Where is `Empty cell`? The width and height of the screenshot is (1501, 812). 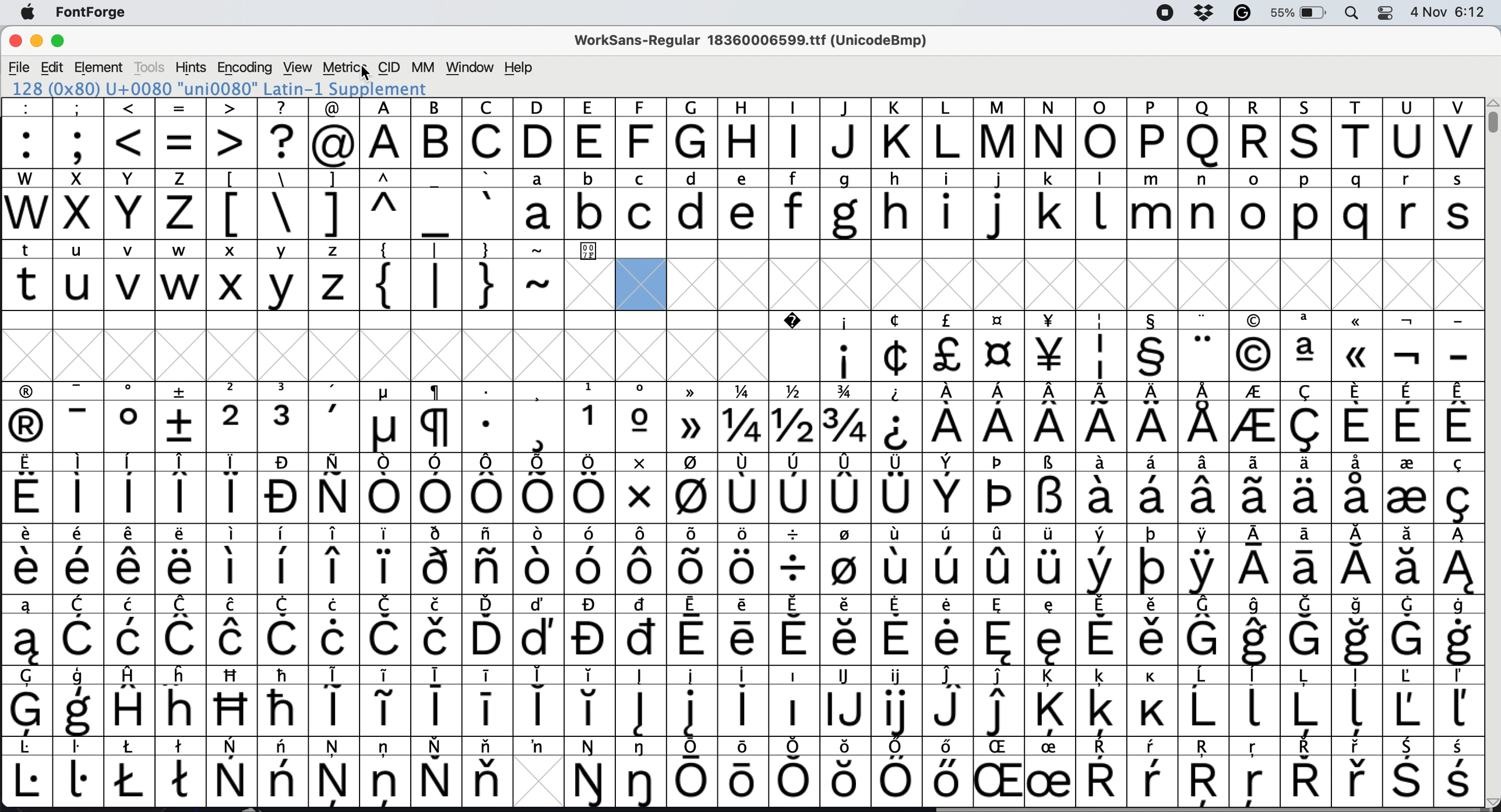
Empty cell is located at coordinates (797, 354).